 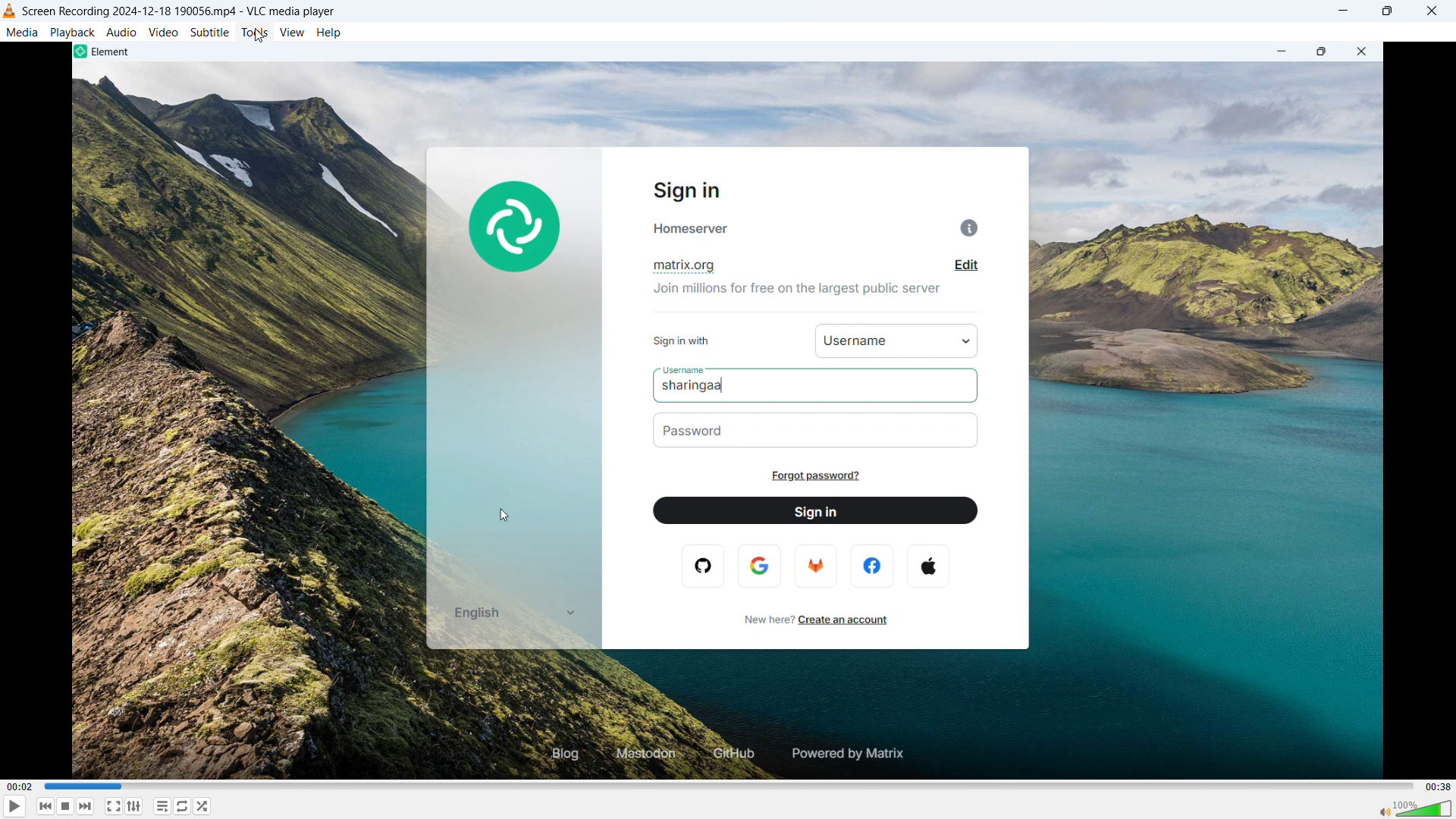 What do you see at coordinates (293, 33) in the screenshot?
I see `view` at bounding box center [293, 33].